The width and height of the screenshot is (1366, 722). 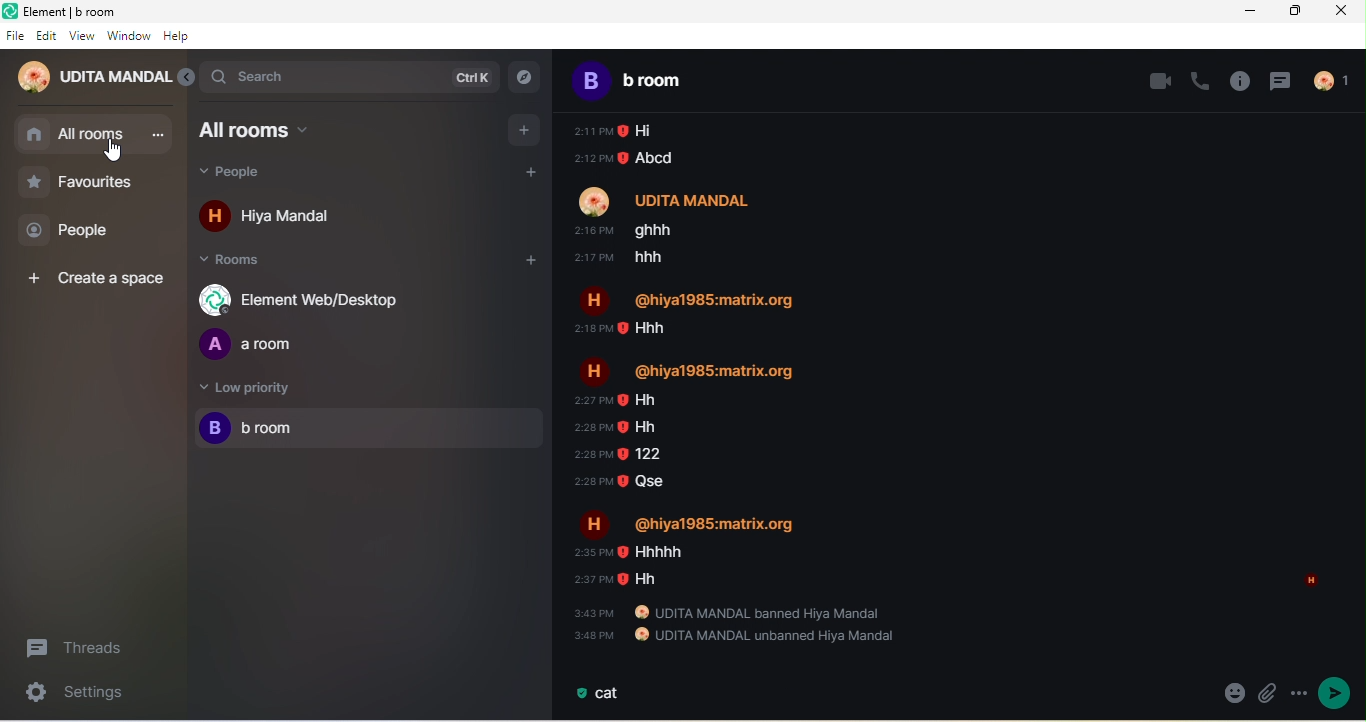 What do you see at coordinates (89, 80) in the screenshot?
I see `udita mandal` at bounding box center [89, 80].